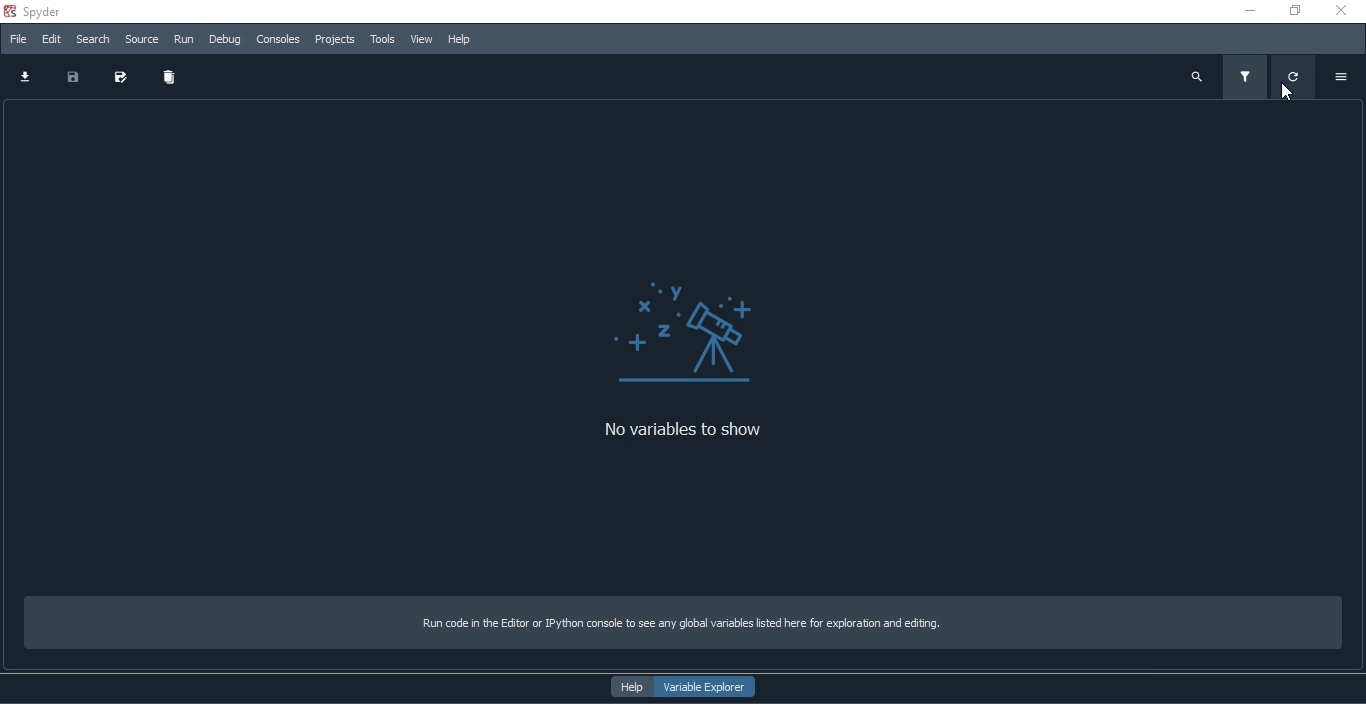  I want to click on spyder, so click(52, 11).